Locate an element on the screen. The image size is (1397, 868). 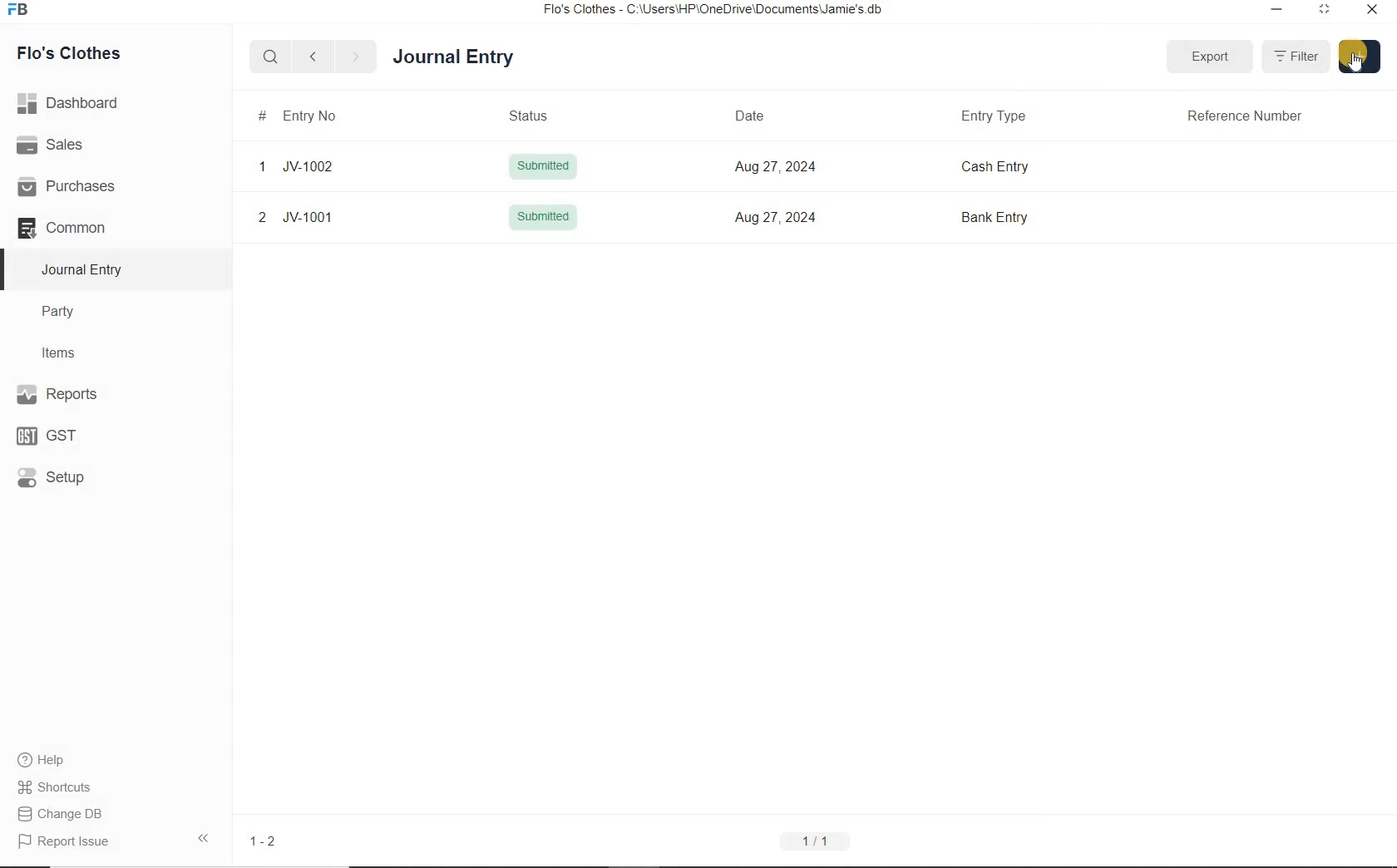
Common is located at coordinates (81, 227).